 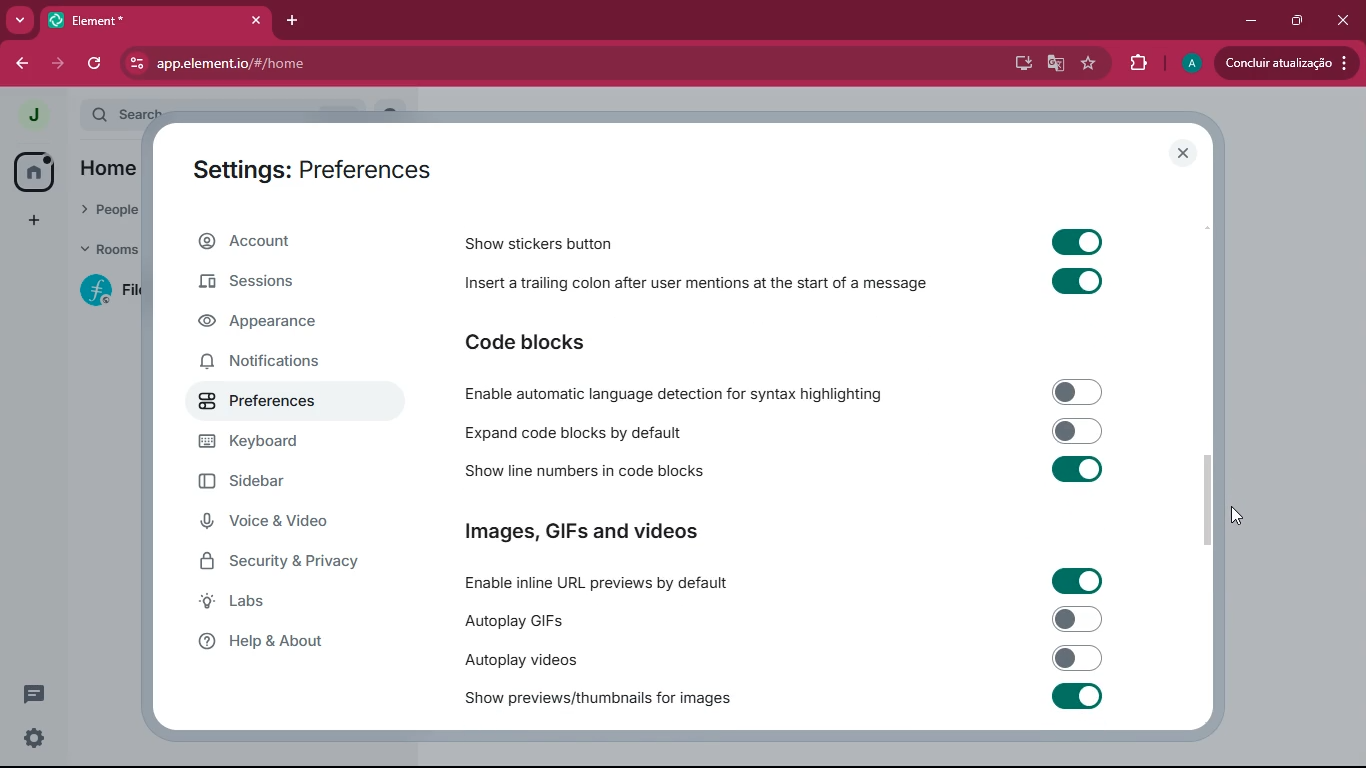 I want to click on notifications, so click(x=268, y=363).